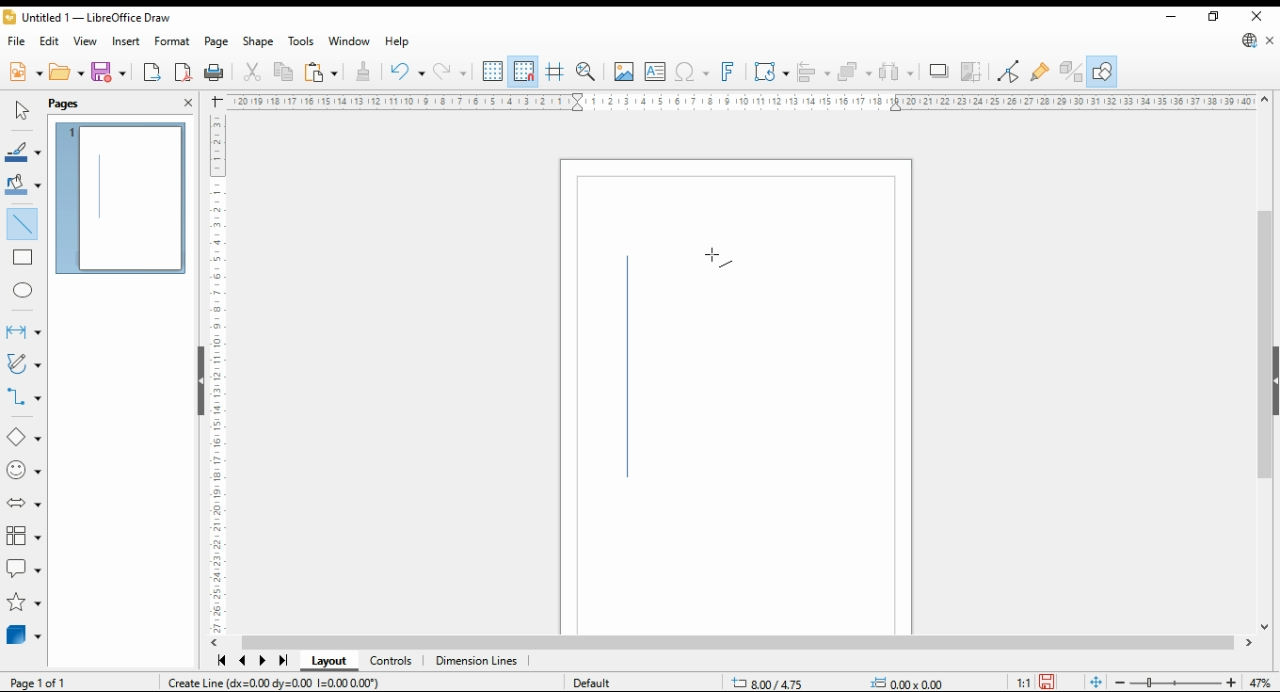 The height and width of the screenshot is (692, 1280). I want to click on undo, so click(452, 72).